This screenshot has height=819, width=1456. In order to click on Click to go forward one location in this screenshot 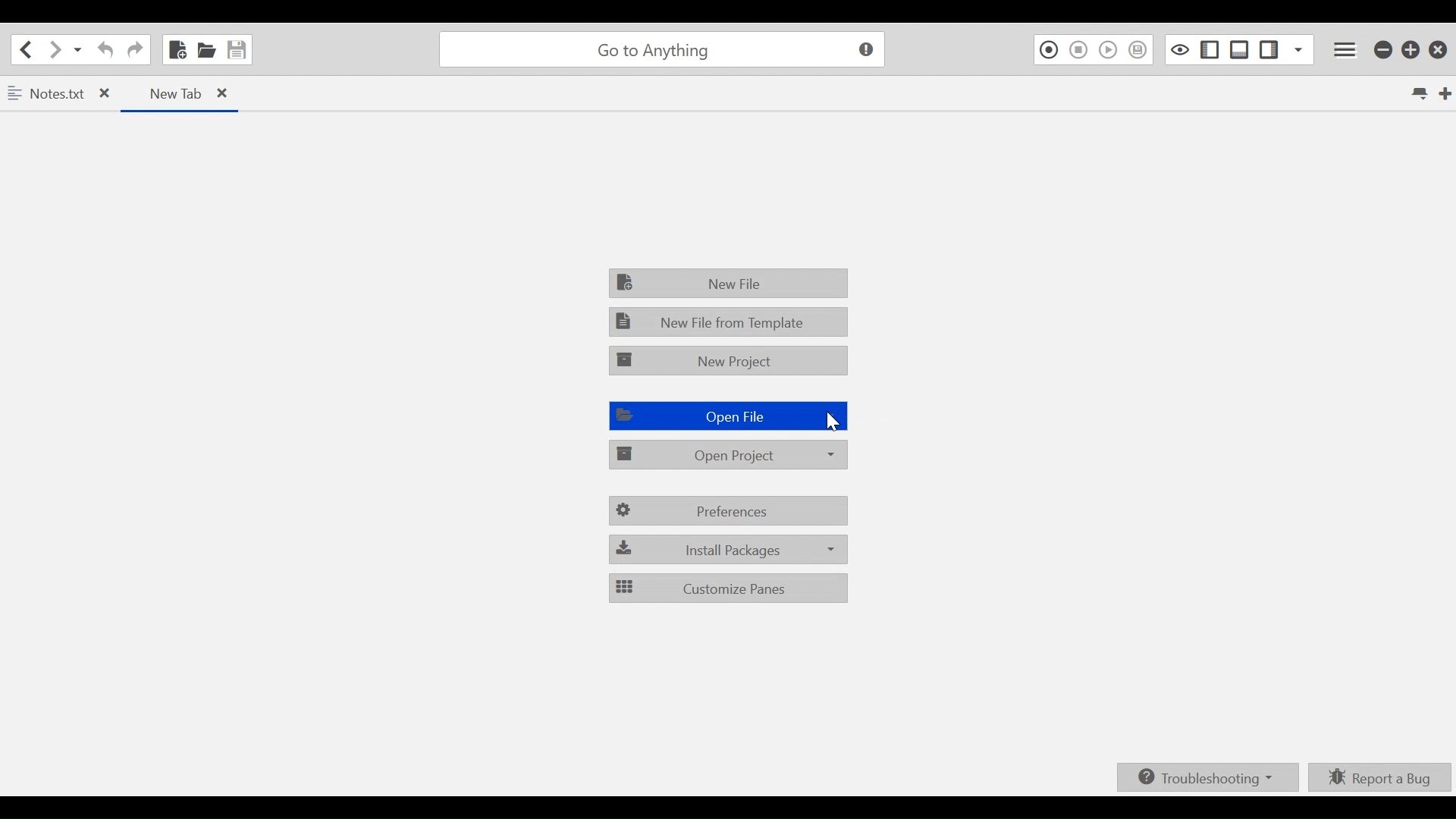, I will do `click(55, 50)`.